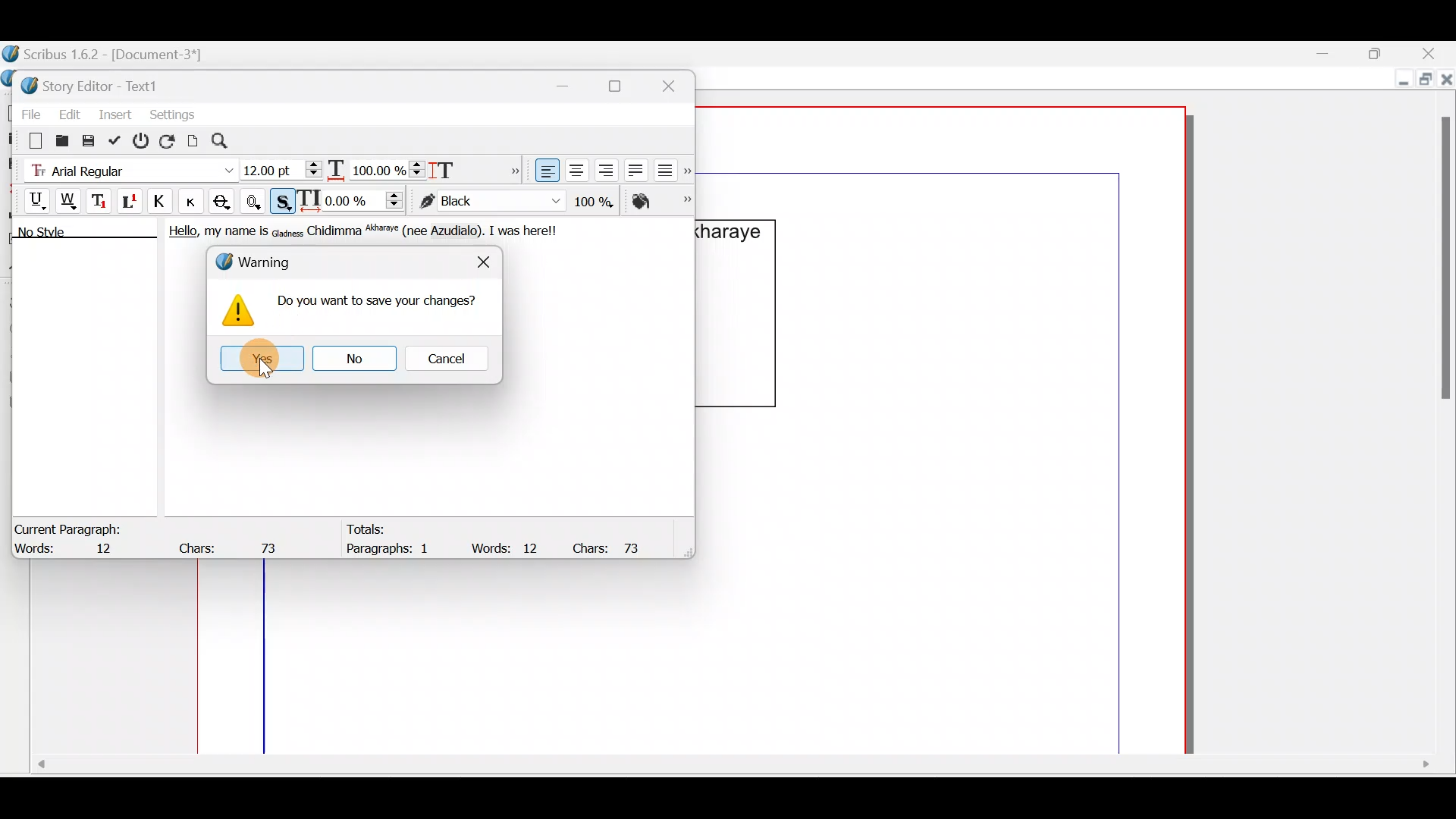 The image size is (1456, 819). What do you see at coordinates (283, 170) in the screenshot?
I see `Font size - 12:00pt` at bounding box center [283, 170].